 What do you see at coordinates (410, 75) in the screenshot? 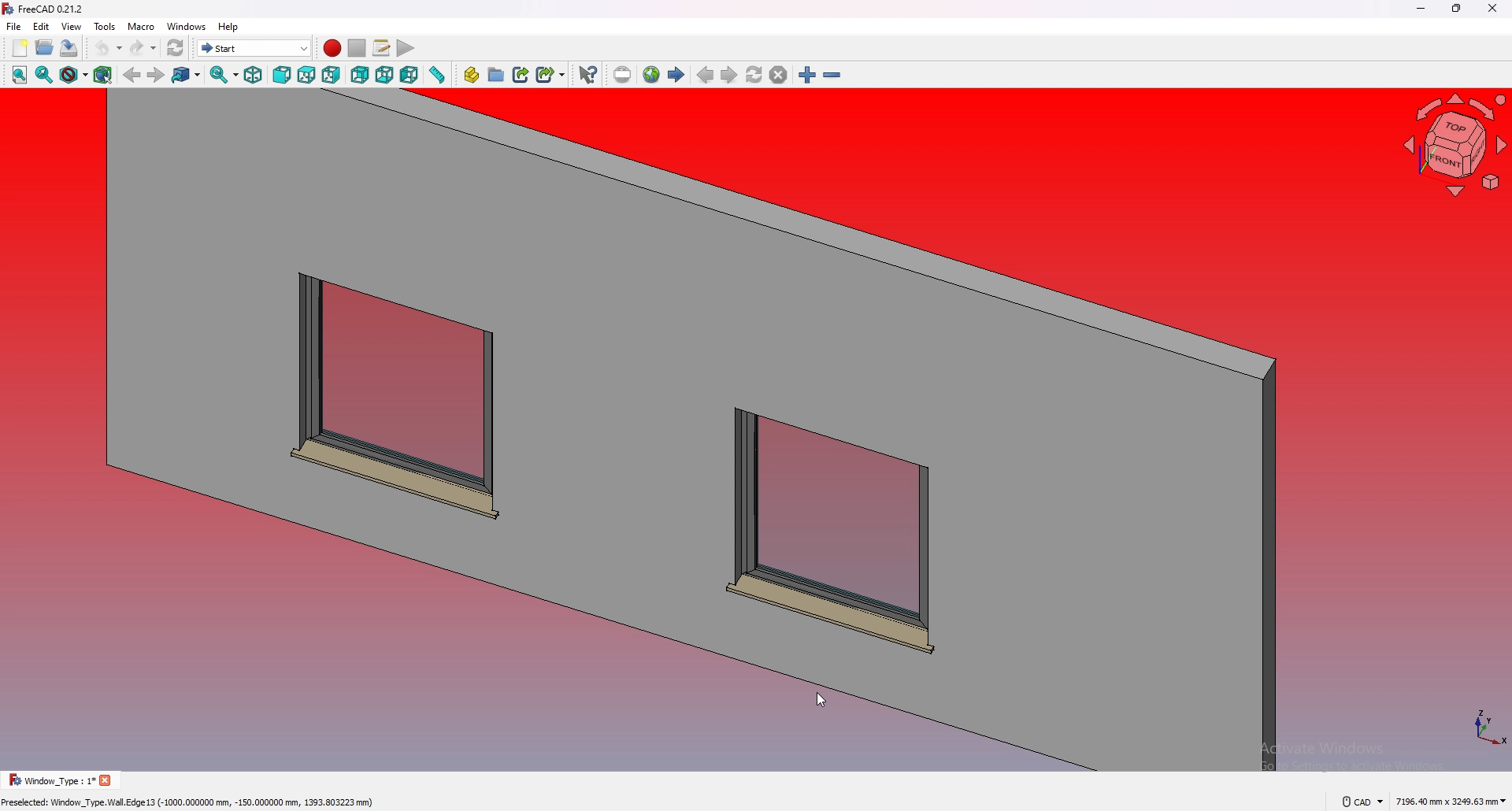
I see `left` at bounding box center [410, 75].